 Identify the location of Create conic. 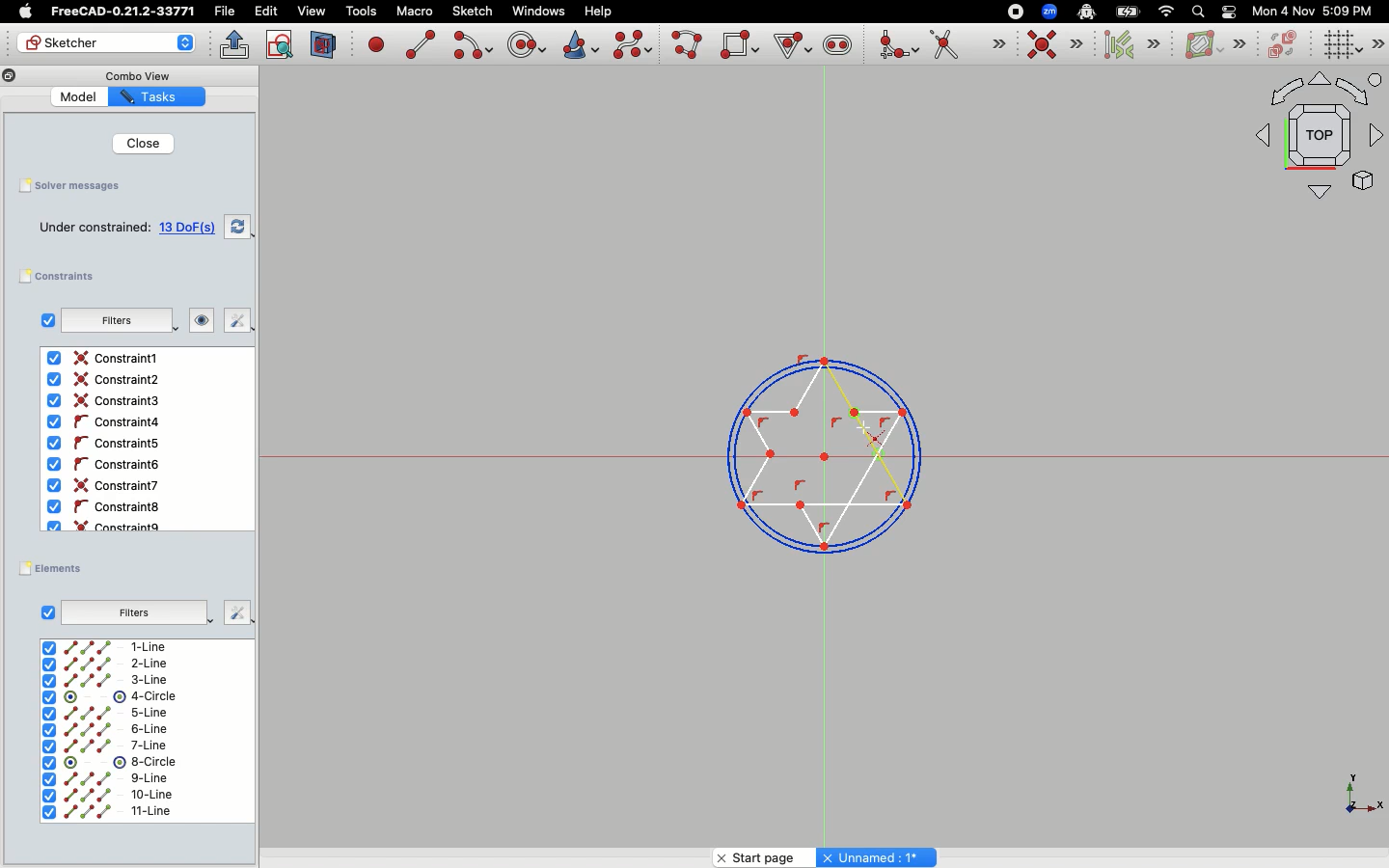
(579, 43).